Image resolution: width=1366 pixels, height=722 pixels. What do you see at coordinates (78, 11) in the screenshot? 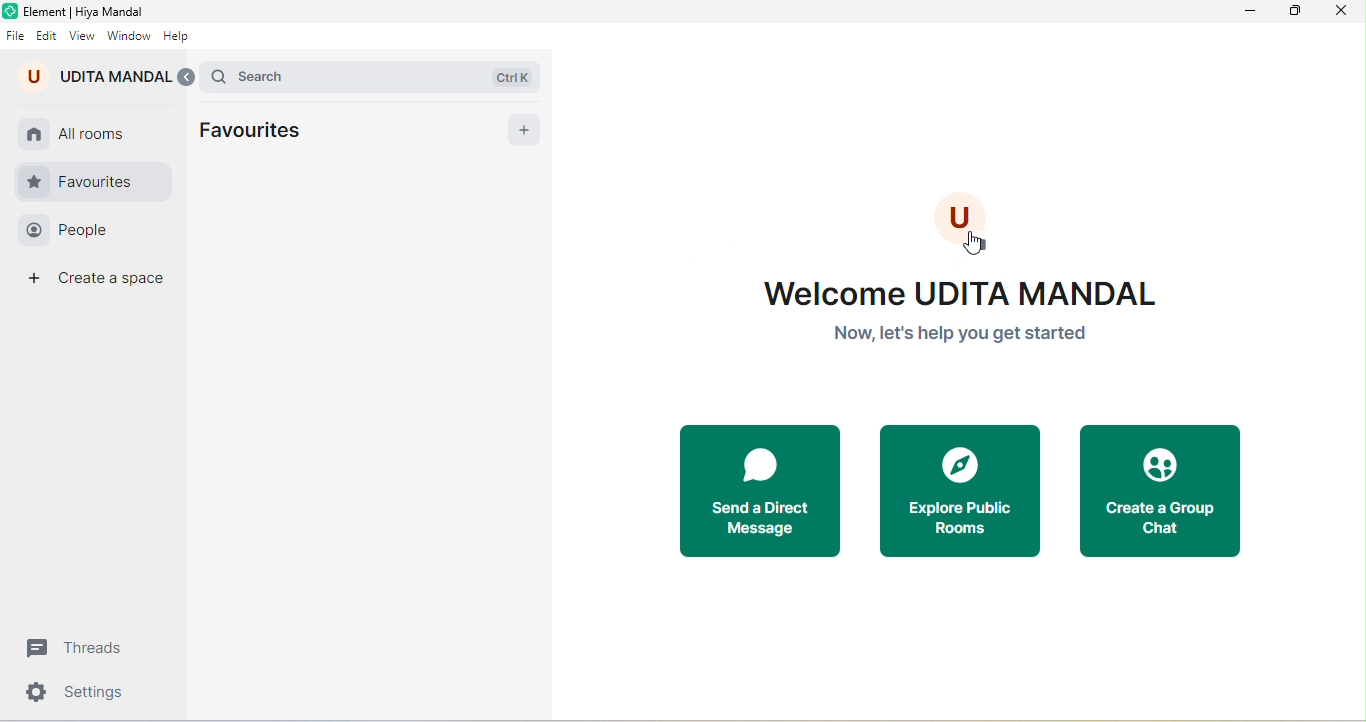
I see `title` at bounding box center [78, 11].